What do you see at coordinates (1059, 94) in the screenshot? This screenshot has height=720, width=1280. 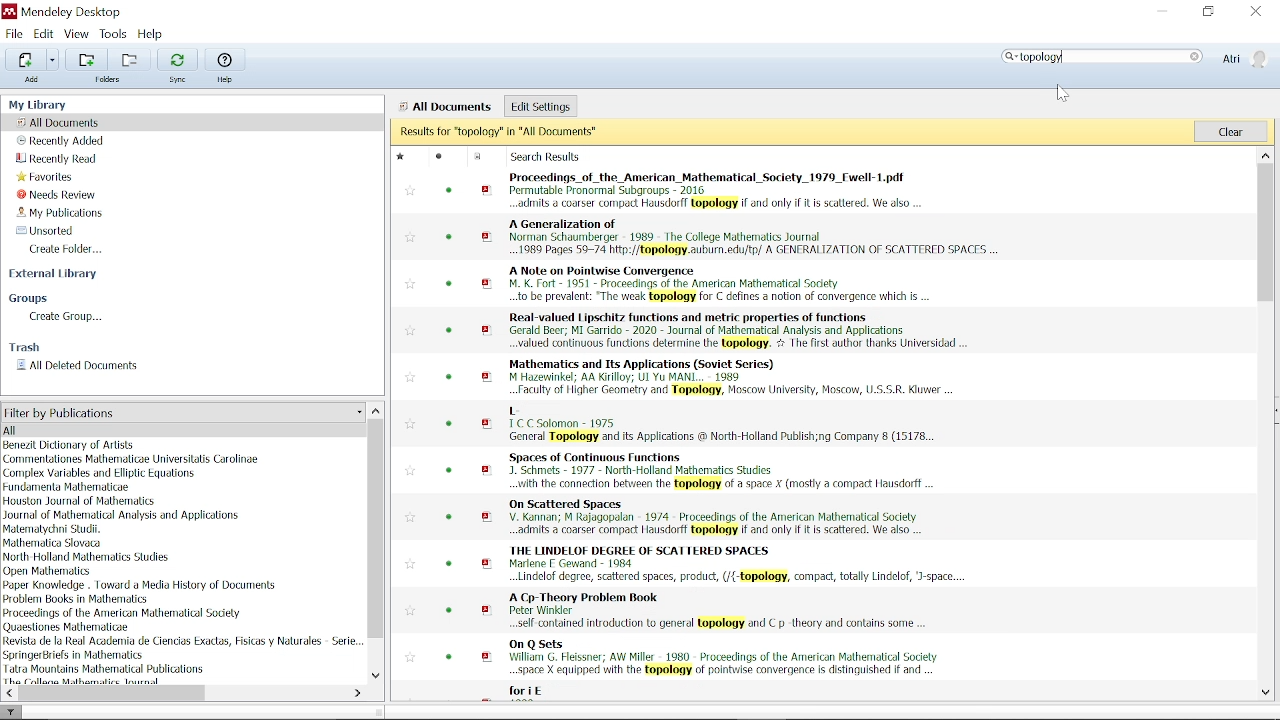 I see `cursor` at bounding box center [1059, 94].